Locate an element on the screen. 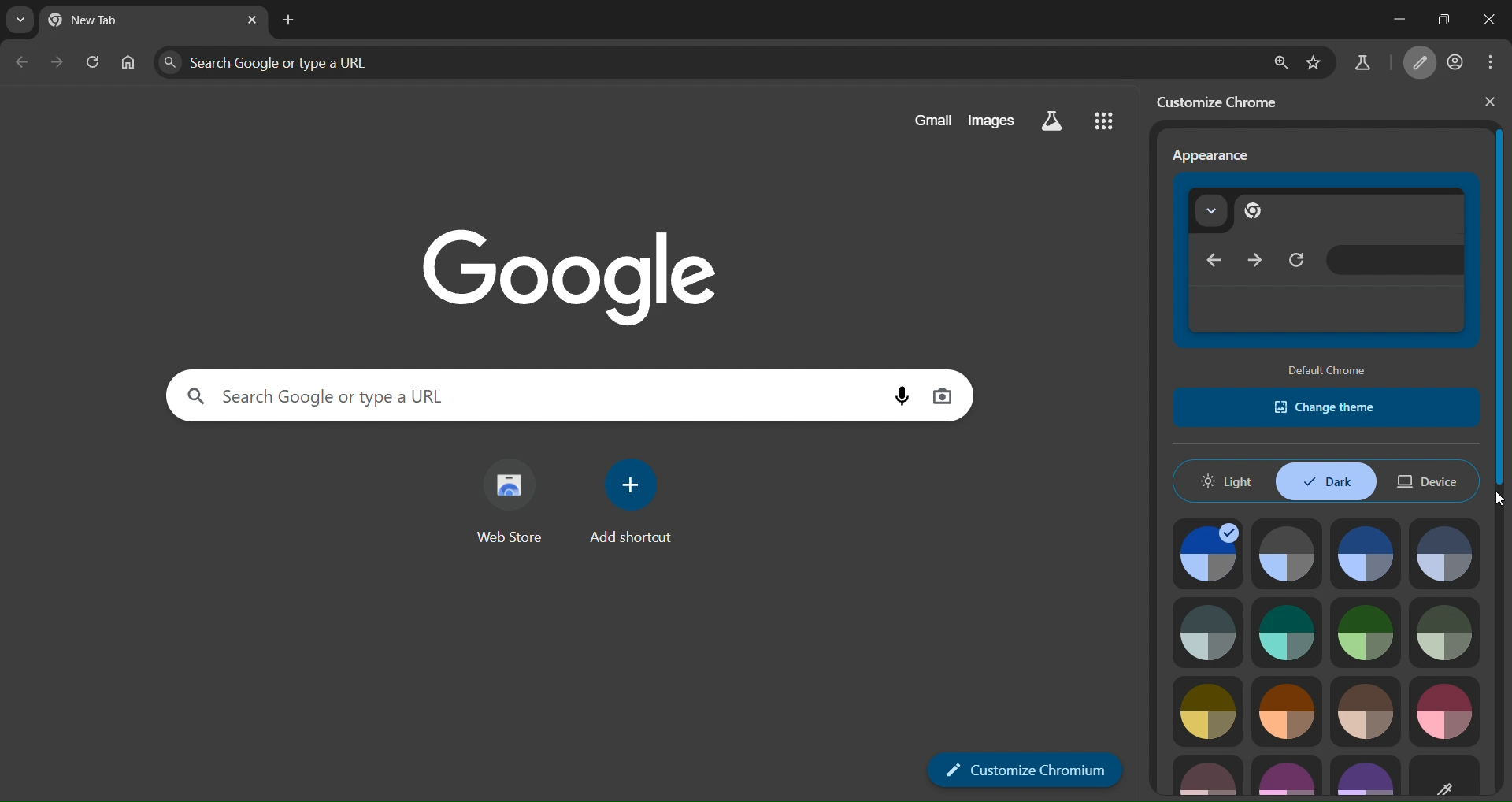 The height and width of the screenshot is (802, 1512). customize chromium is located at coordinates (1026, 770).